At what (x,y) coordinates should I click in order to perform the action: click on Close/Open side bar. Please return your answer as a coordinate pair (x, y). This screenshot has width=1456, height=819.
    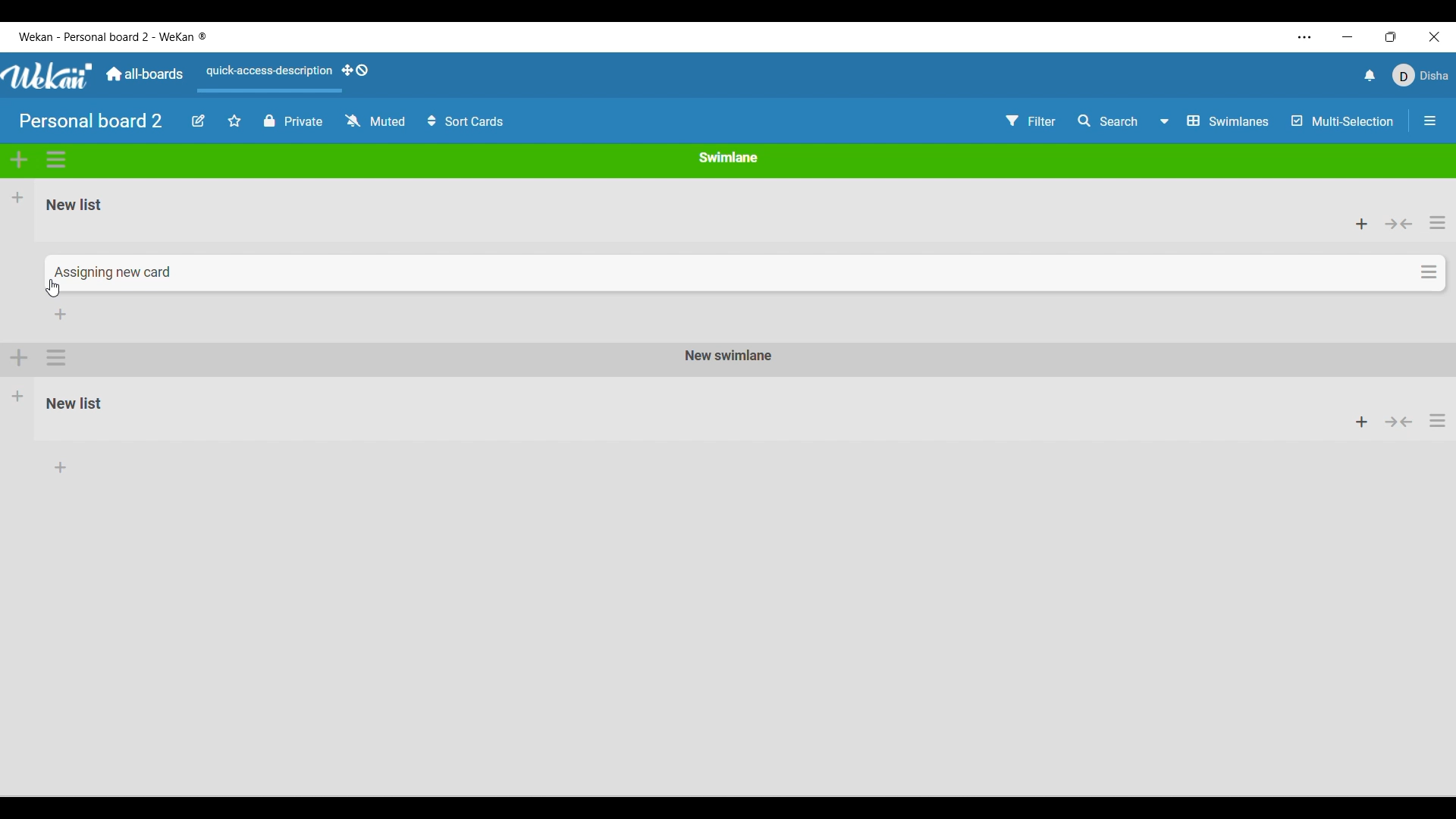
    Looking at the image, I should click on (1429, 121).